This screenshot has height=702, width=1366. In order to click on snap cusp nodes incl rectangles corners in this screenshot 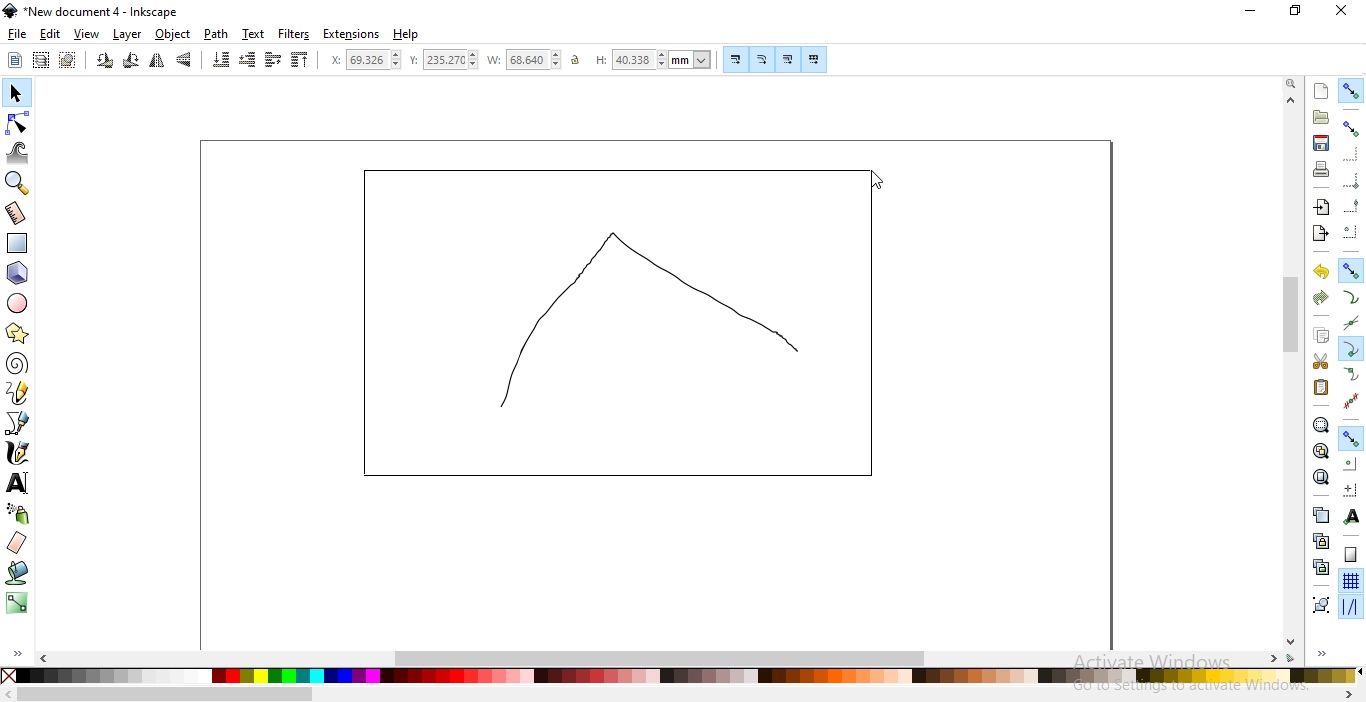, I will do `click(1350, 349)`.